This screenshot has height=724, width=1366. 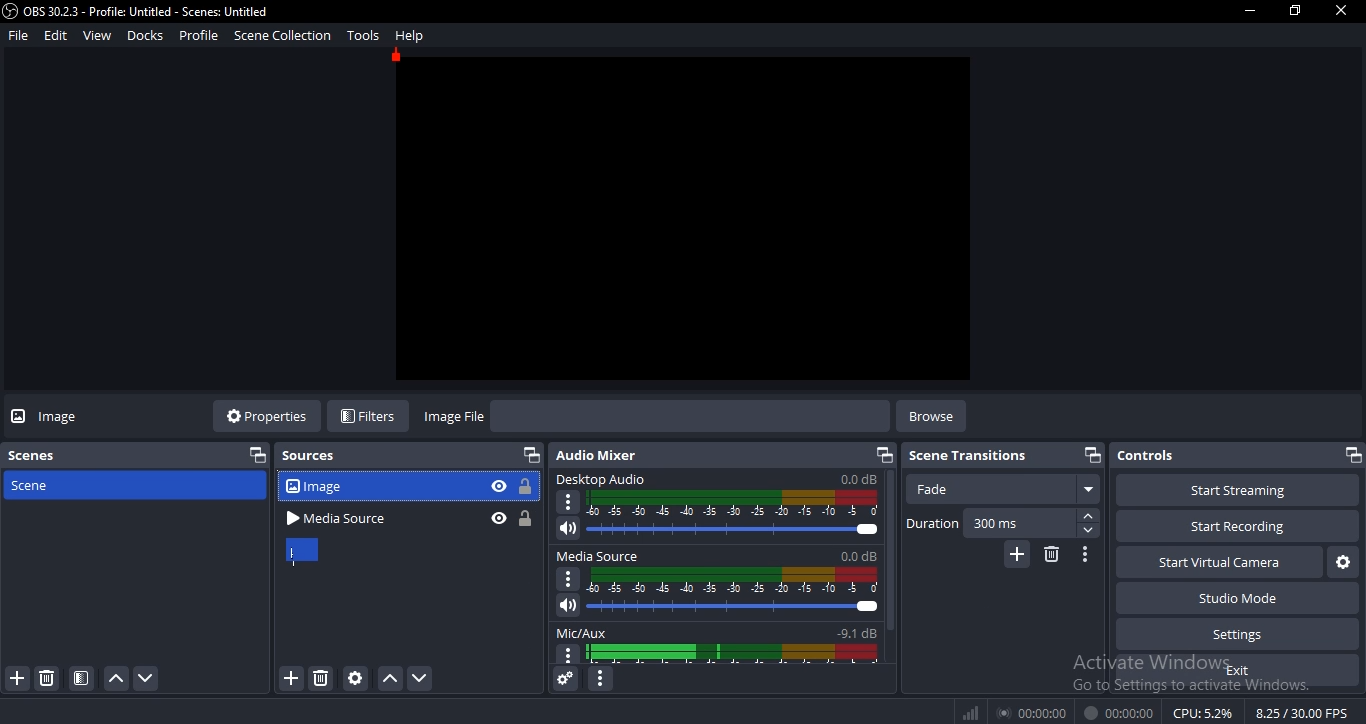 I want to click on display, so click(x=731, y=581).